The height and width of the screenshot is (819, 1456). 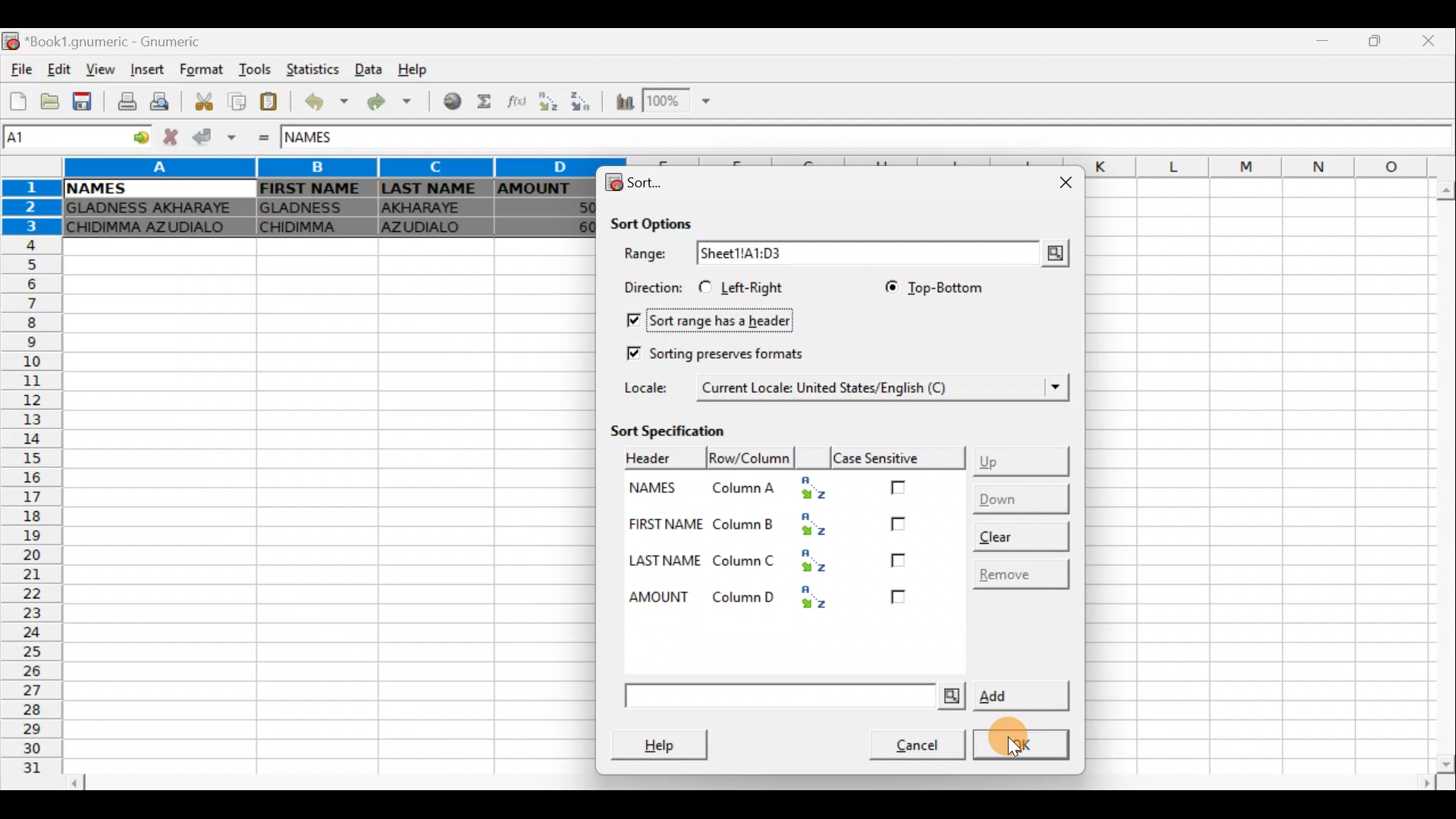 What do you see at coordinates (1019, 532) in the screenshot?
I see `Clear` at bounding box center [1019, 532].